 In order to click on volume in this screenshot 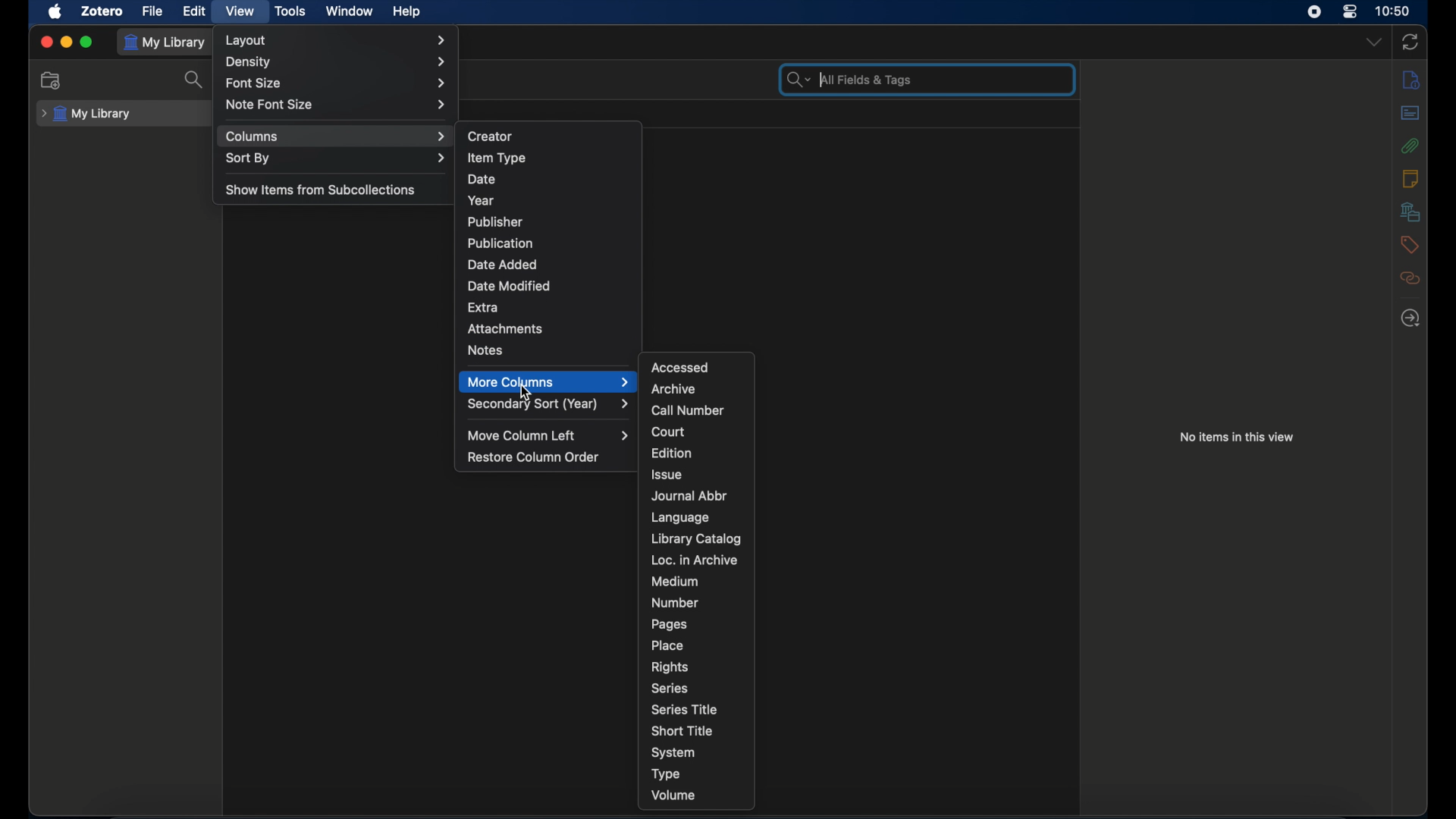, I will do `click(673, 795)`.